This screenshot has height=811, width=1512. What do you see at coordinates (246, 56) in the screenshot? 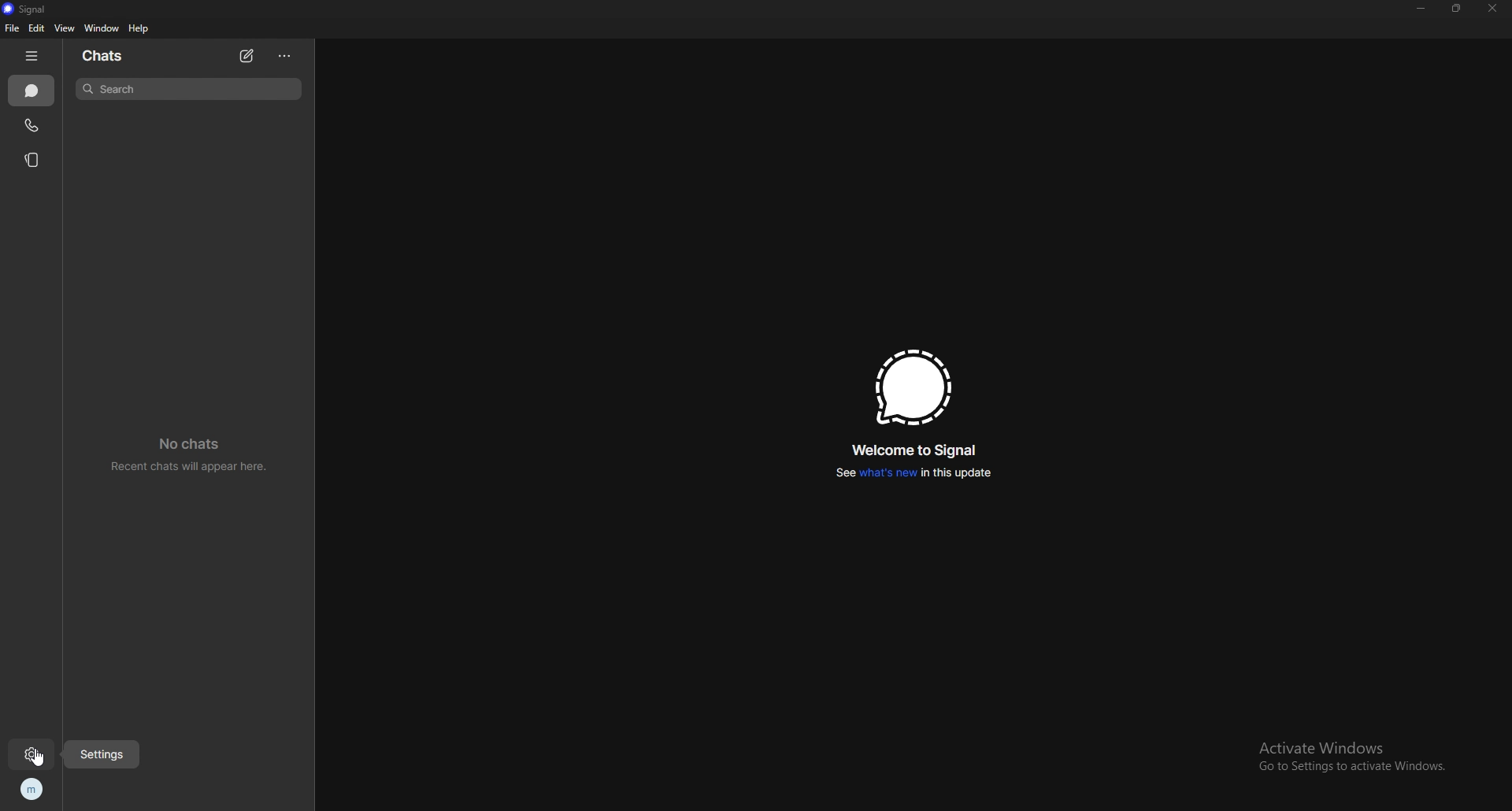
I see `new chat` at bounding box center [246, 56].